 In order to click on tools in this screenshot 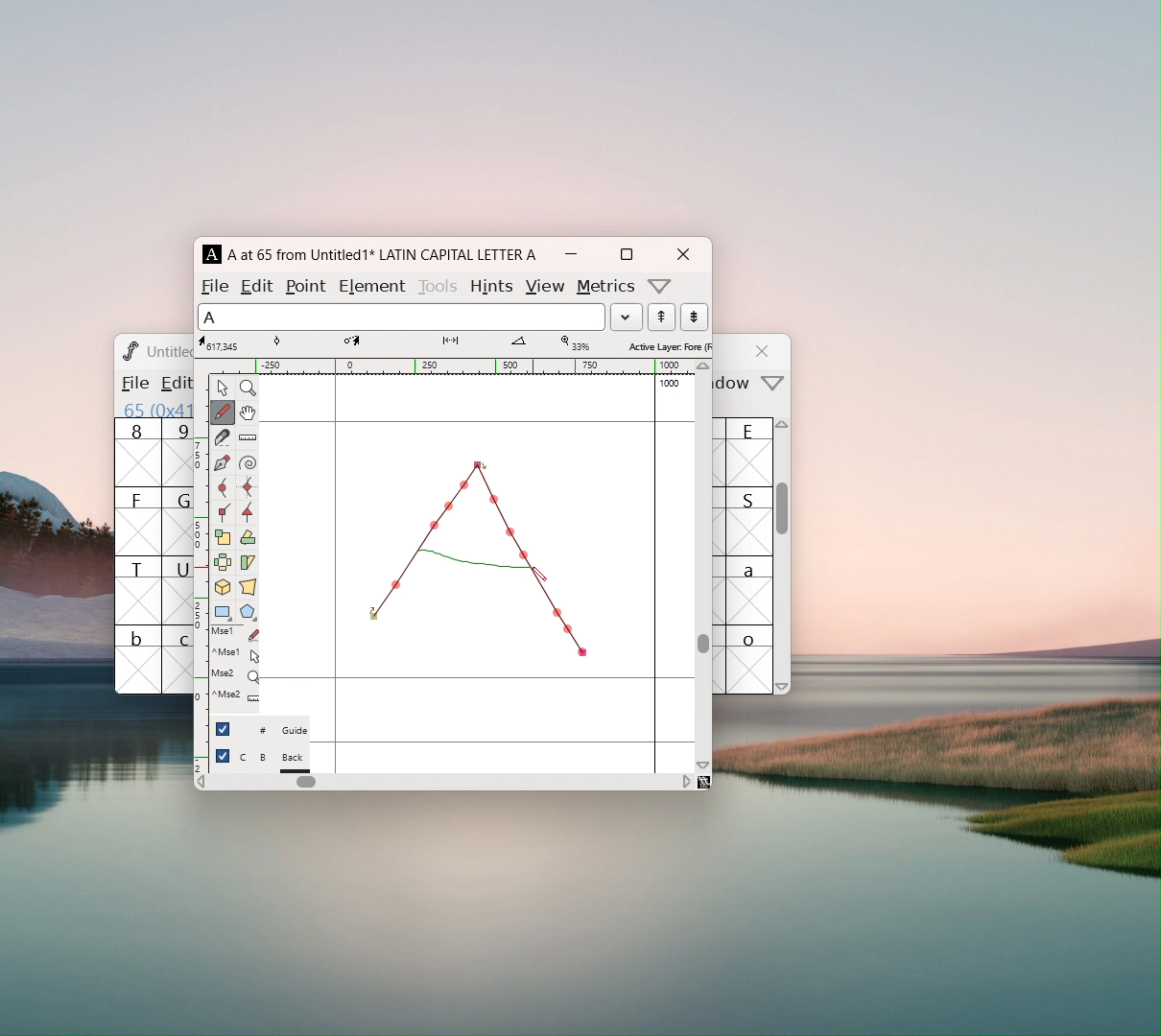, I will do `click(439, 284)`.